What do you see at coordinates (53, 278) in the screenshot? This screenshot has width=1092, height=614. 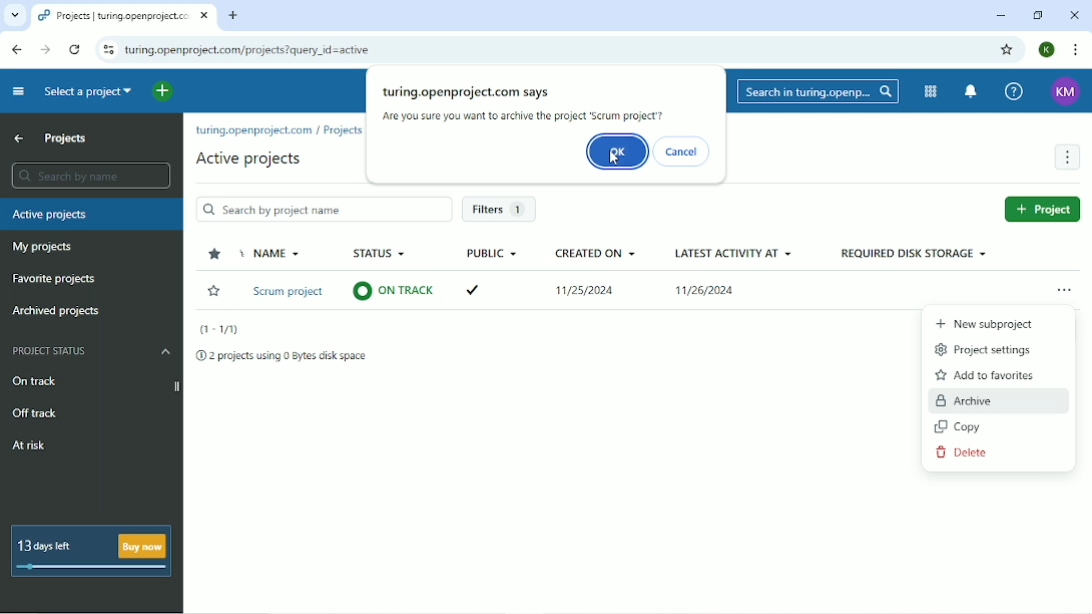 I see `Favorite projects` at bounding box center [53, 278].